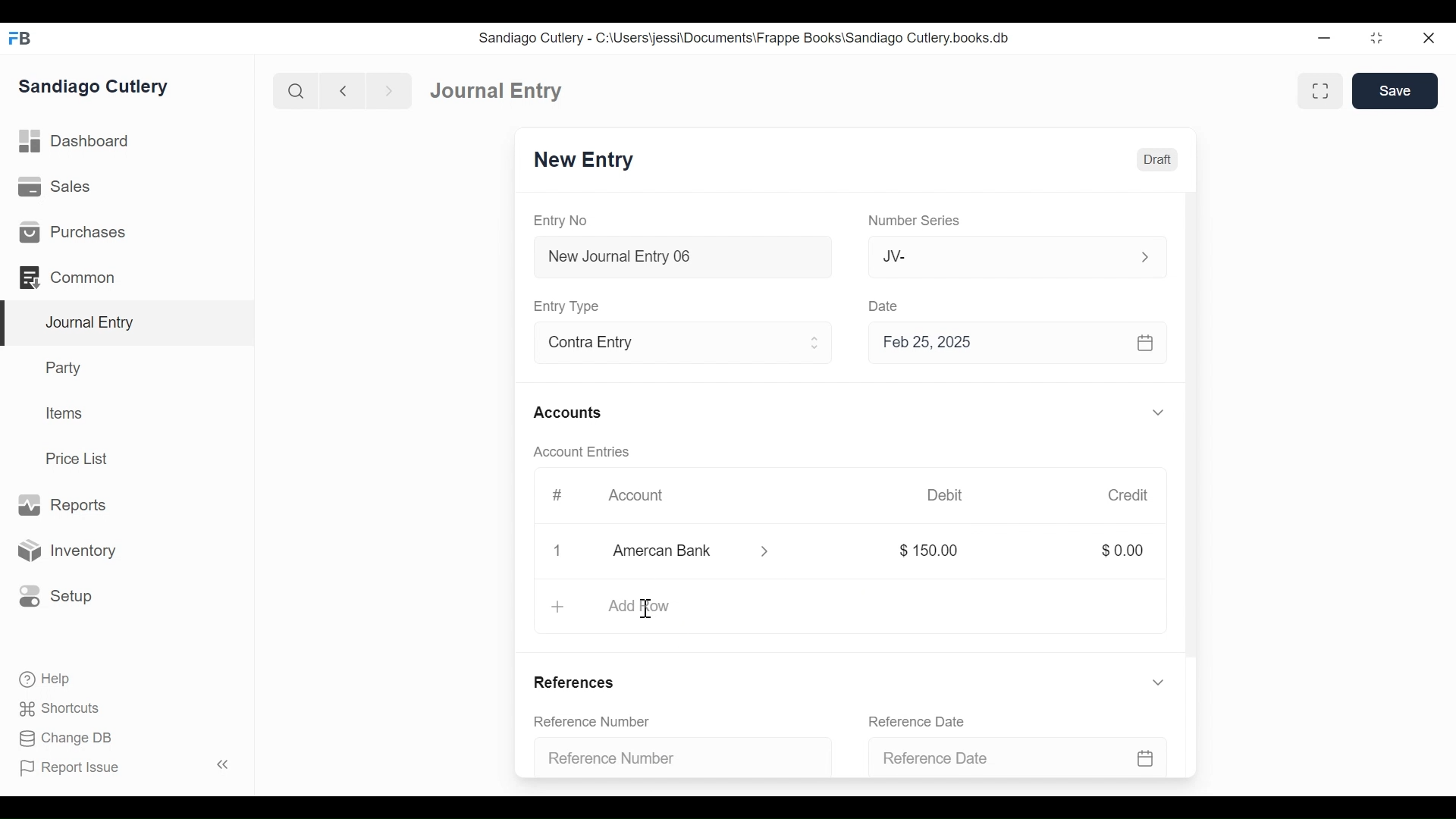 The height and width of the screenshot is (819, 1456). Describe the element at coordinates (64, 708) in the screenshot. I see `Shortcuts` at that location.